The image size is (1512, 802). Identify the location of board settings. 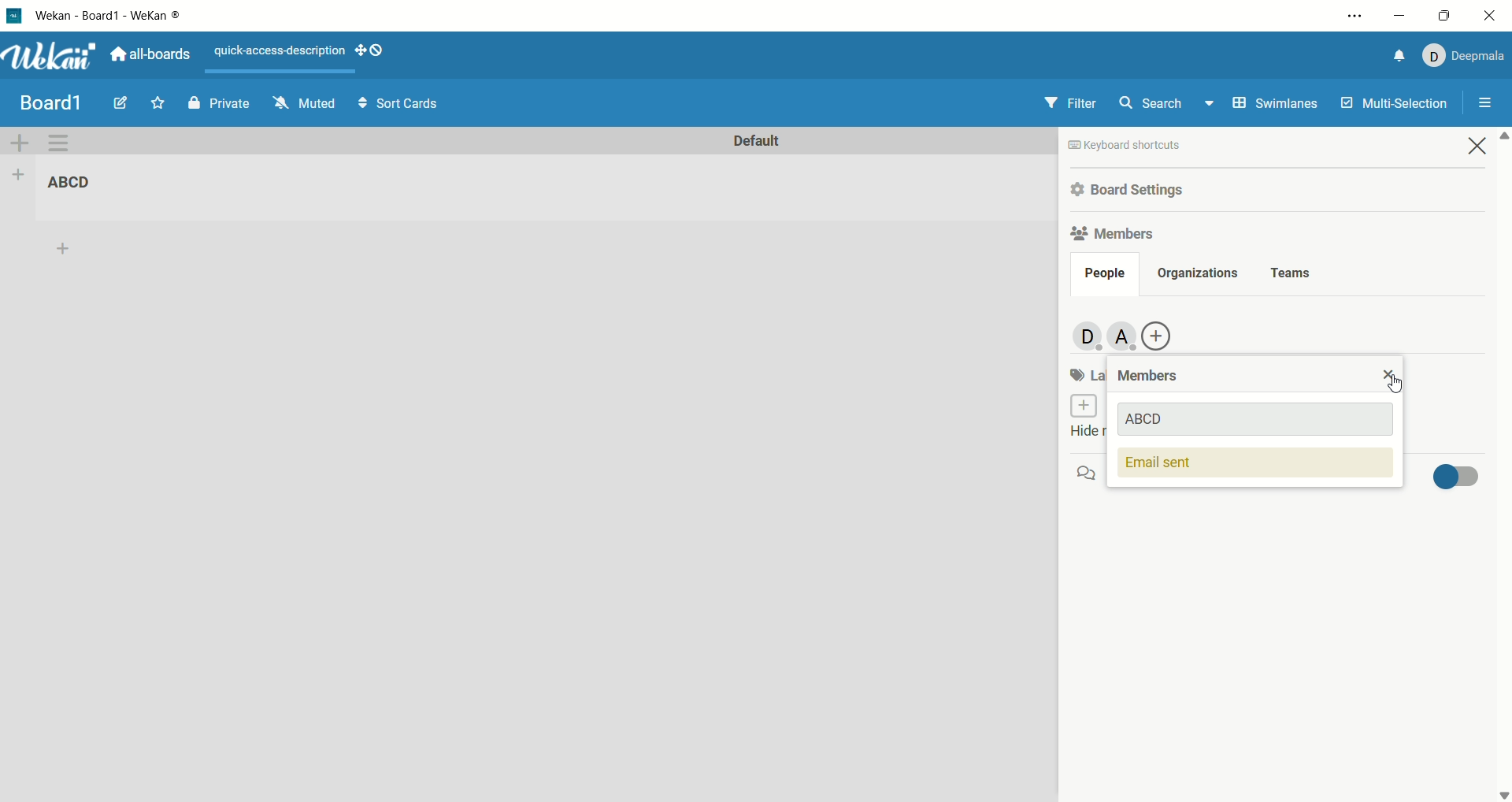
(1131, 191).